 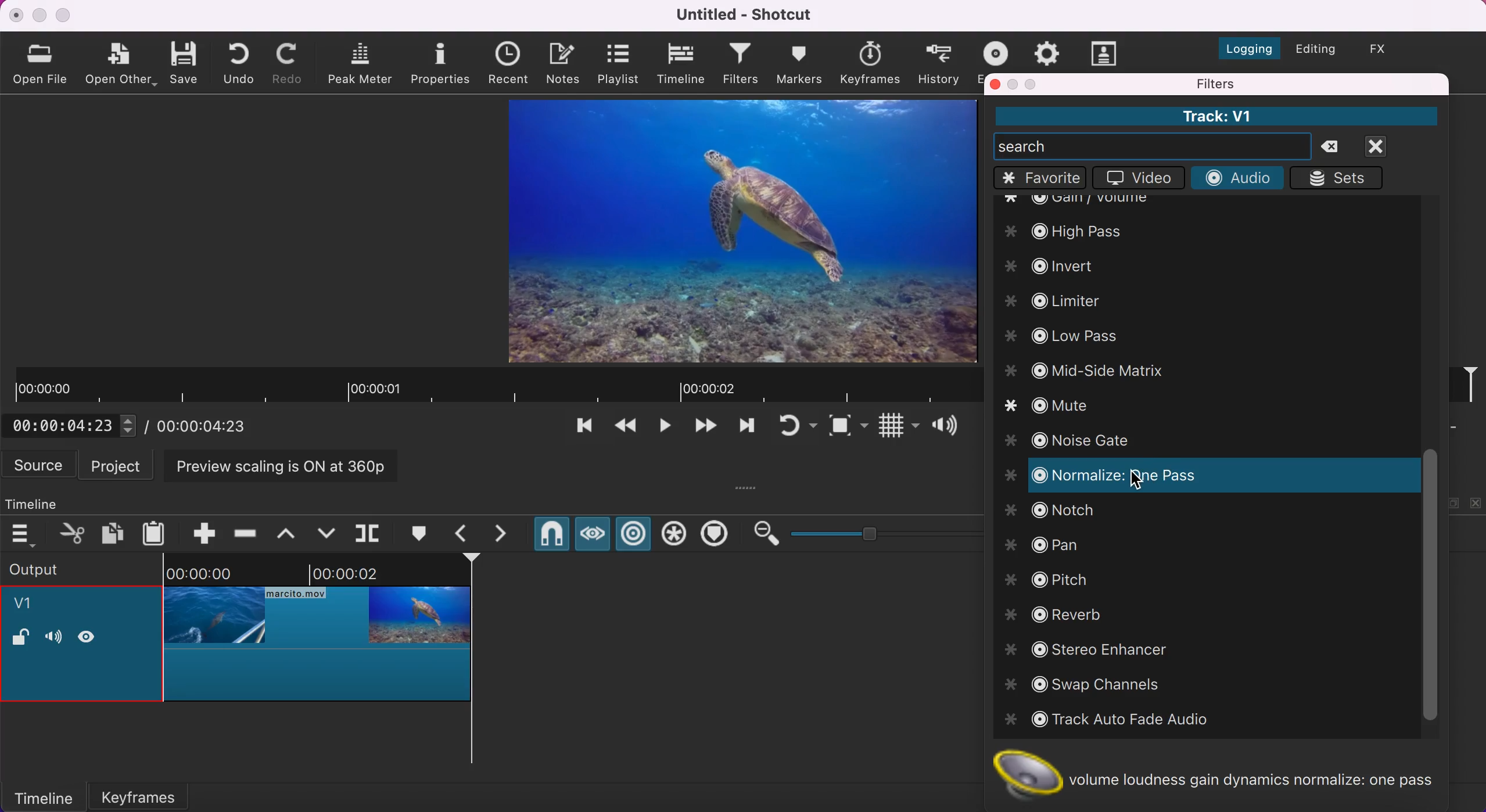 I want to click on recent, so click(x=512, y=64).